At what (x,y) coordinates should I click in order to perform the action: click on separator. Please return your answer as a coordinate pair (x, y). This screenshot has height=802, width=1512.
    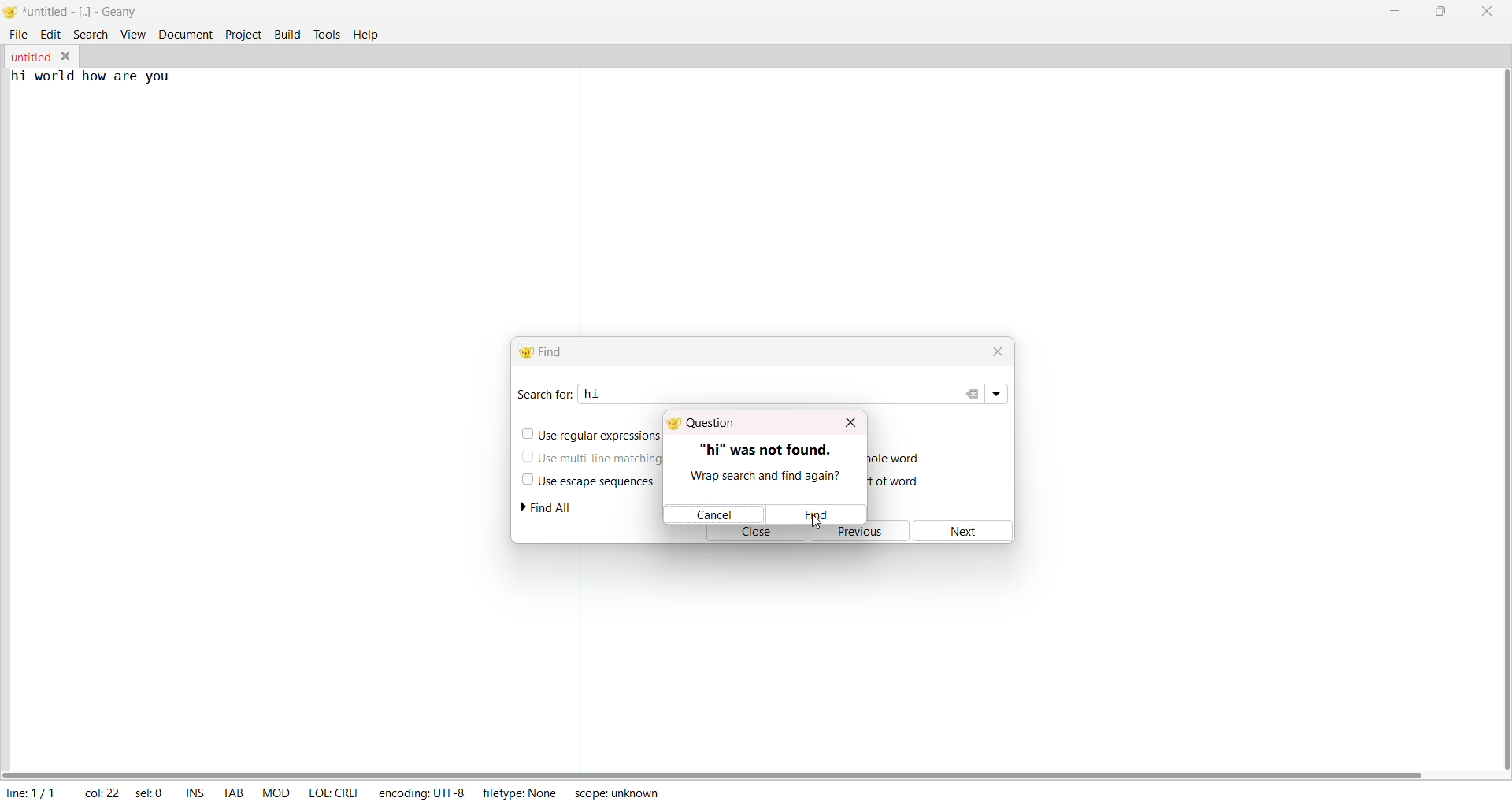
    Looking at the image, I should click on (584, 655).